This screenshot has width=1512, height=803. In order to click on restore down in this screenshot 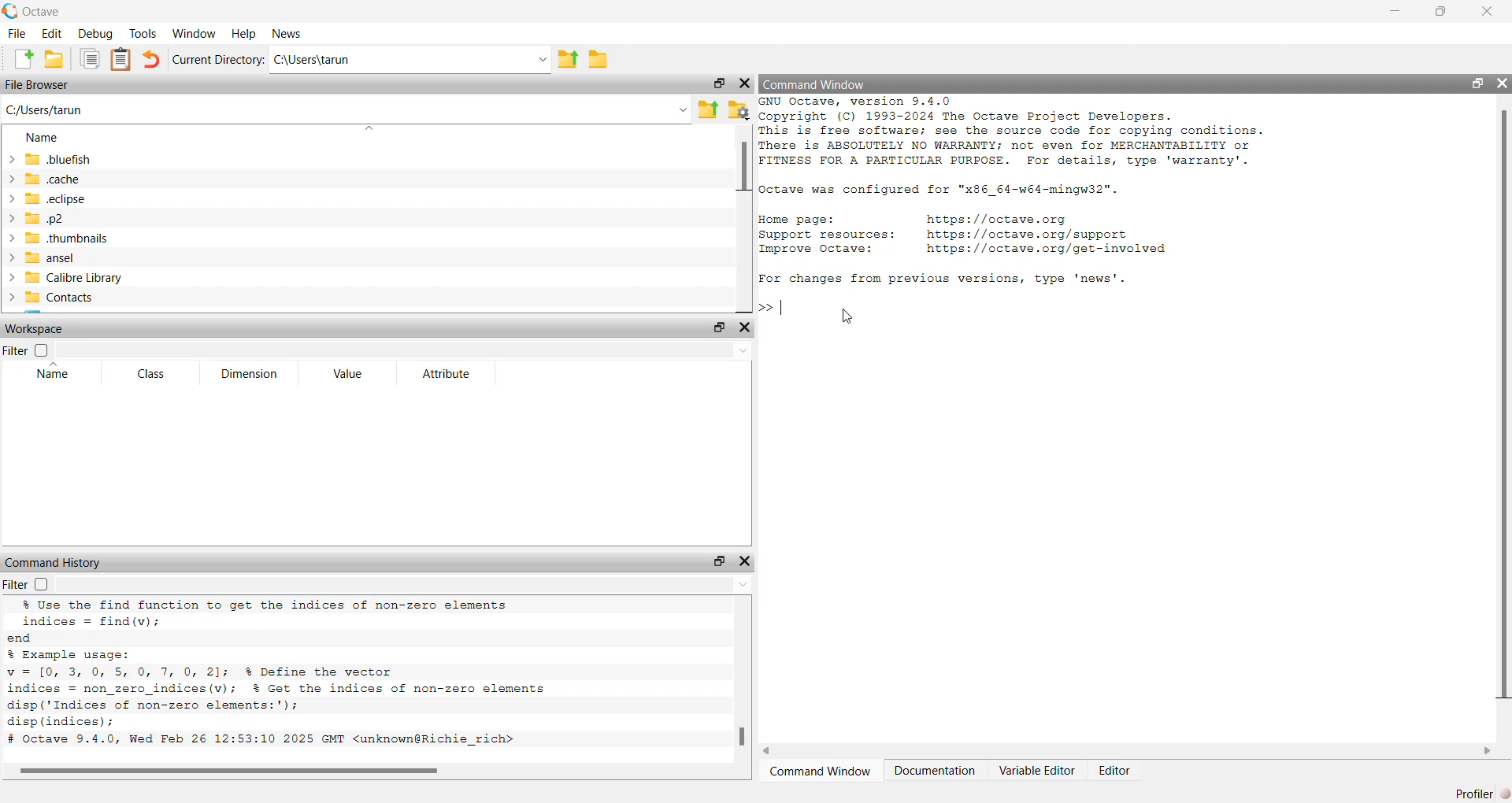, I will do `click(1477, 83)`.